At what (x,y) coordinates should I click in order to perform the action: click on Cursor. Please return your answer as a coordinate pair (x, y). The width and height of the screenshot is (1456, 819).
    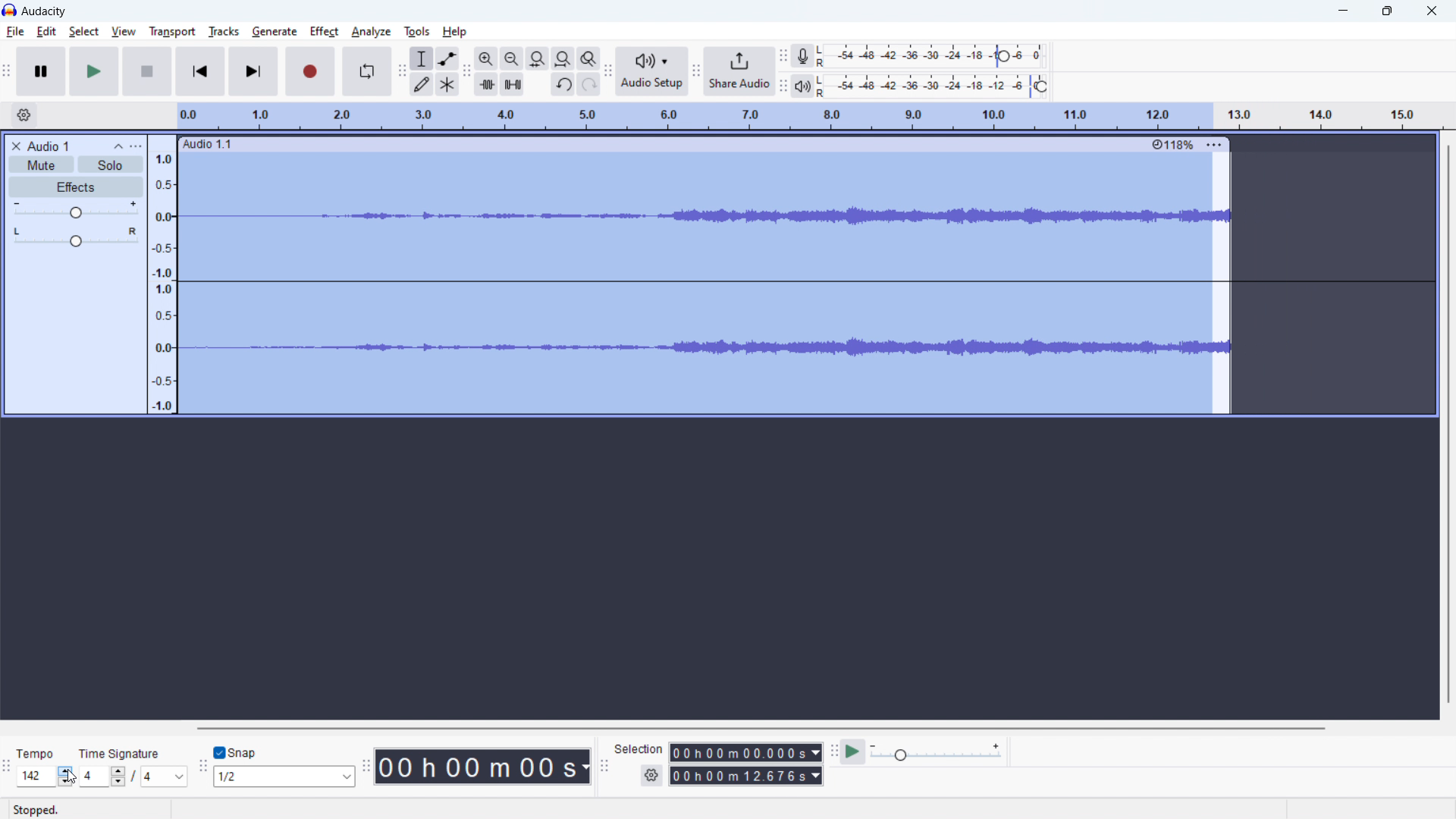
    Looking at the image, I should click on (70, 774).